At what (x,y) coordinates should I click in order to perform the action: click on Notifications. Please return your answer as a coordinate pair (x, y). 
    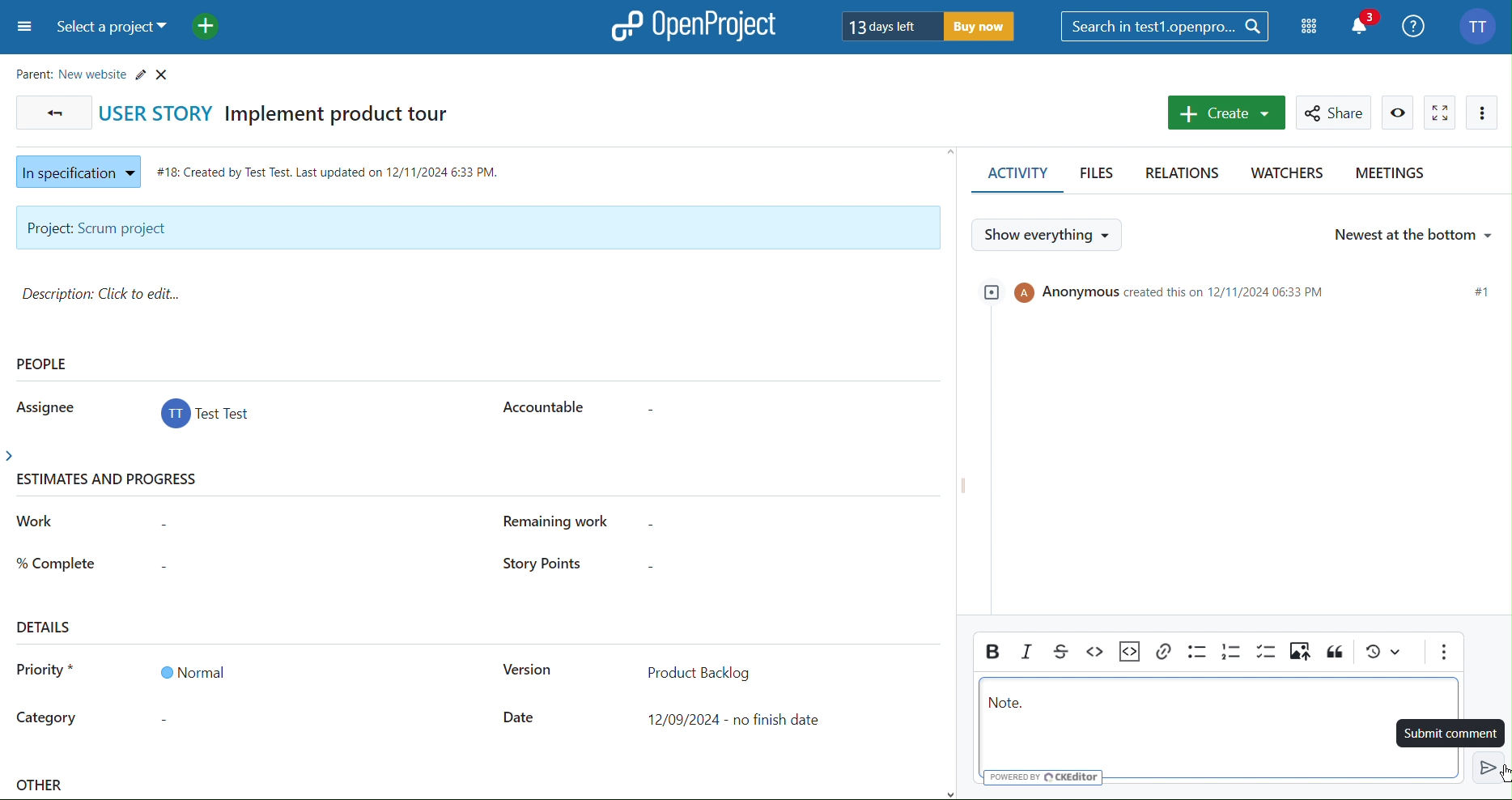
    Looking at the image, I should click on (1365, 24).